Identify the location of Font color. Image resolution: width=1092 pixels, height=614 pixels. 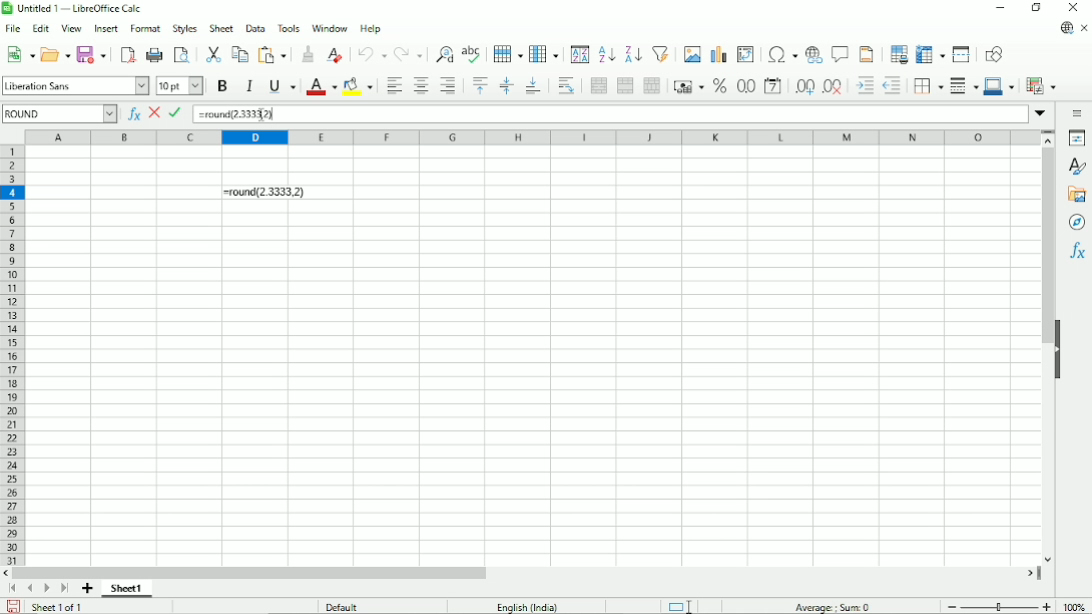
(180, 85).